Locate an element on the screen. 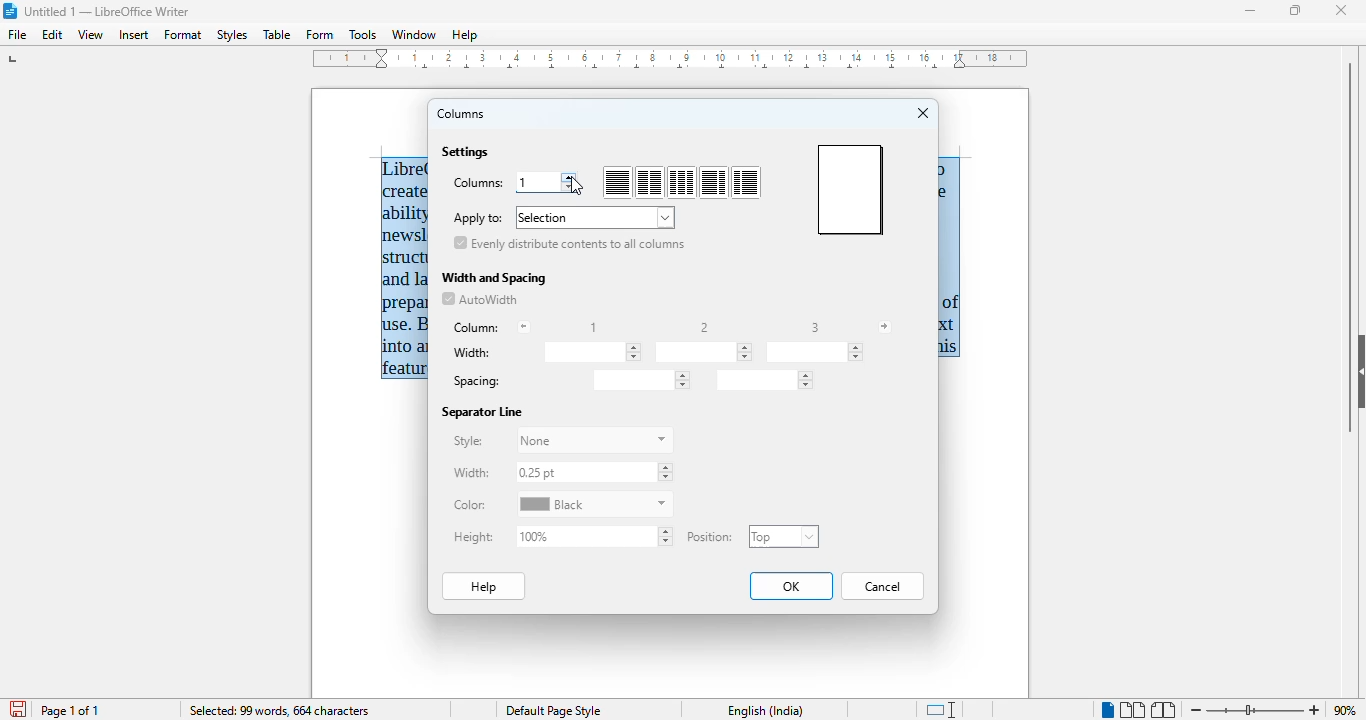 Image resolution: width=1366 pixels, height=720 pixels. 1 is located at coordinates (594, 328).